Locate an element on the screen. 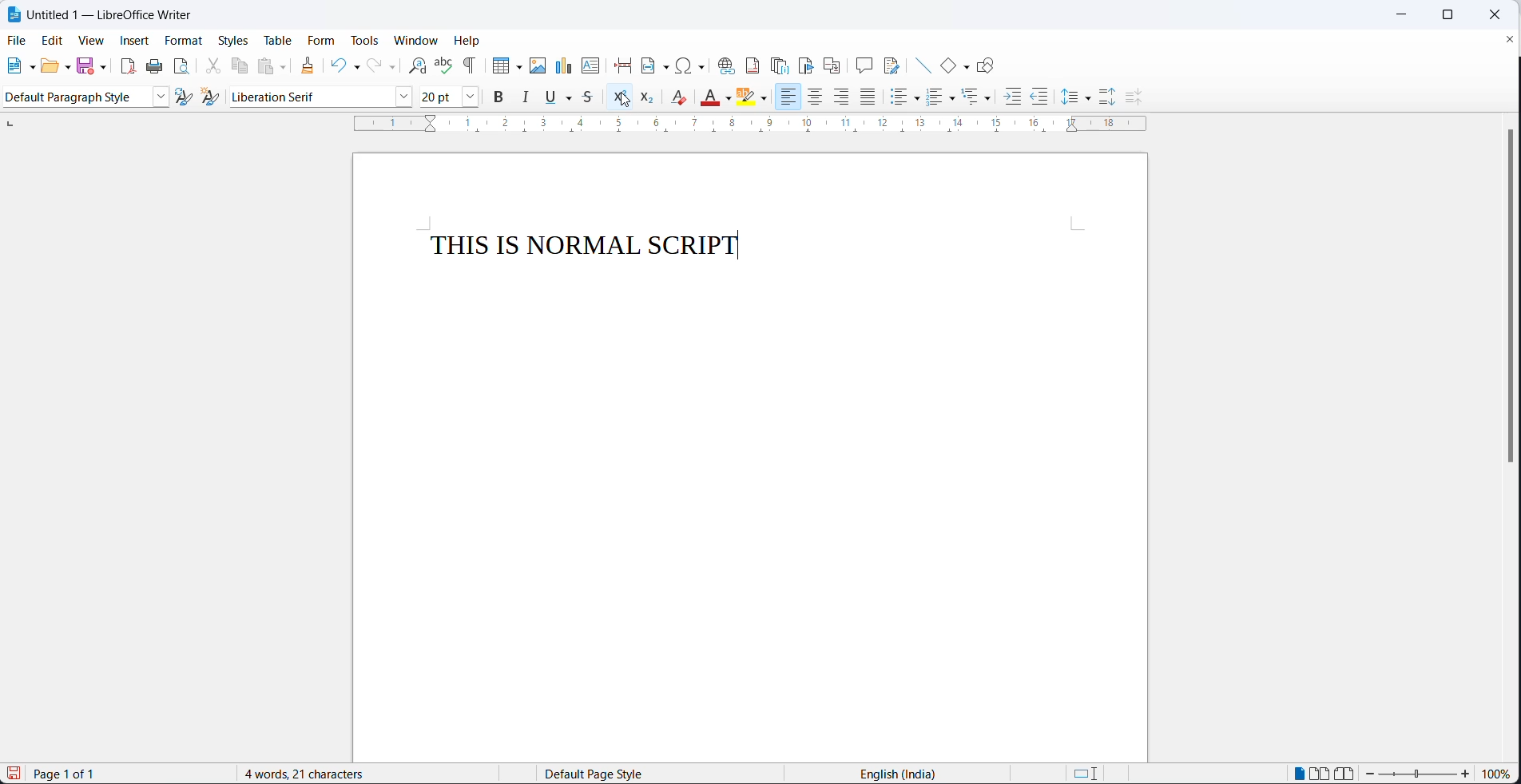  line spacing options is located at coordinates (1088, 99).